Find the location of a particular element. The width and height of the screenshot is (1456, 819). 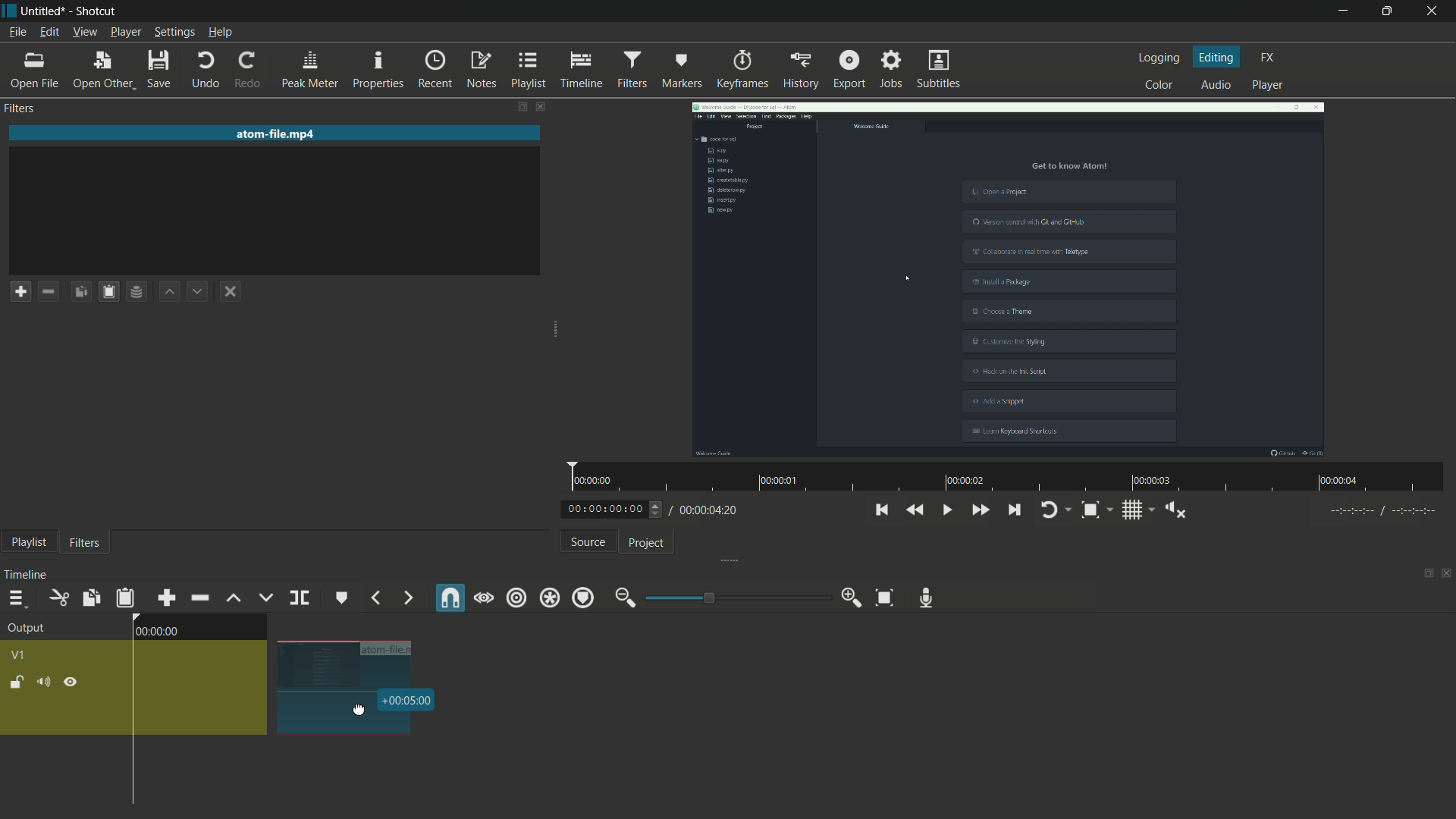

snap is located at coordinates (448, 597).